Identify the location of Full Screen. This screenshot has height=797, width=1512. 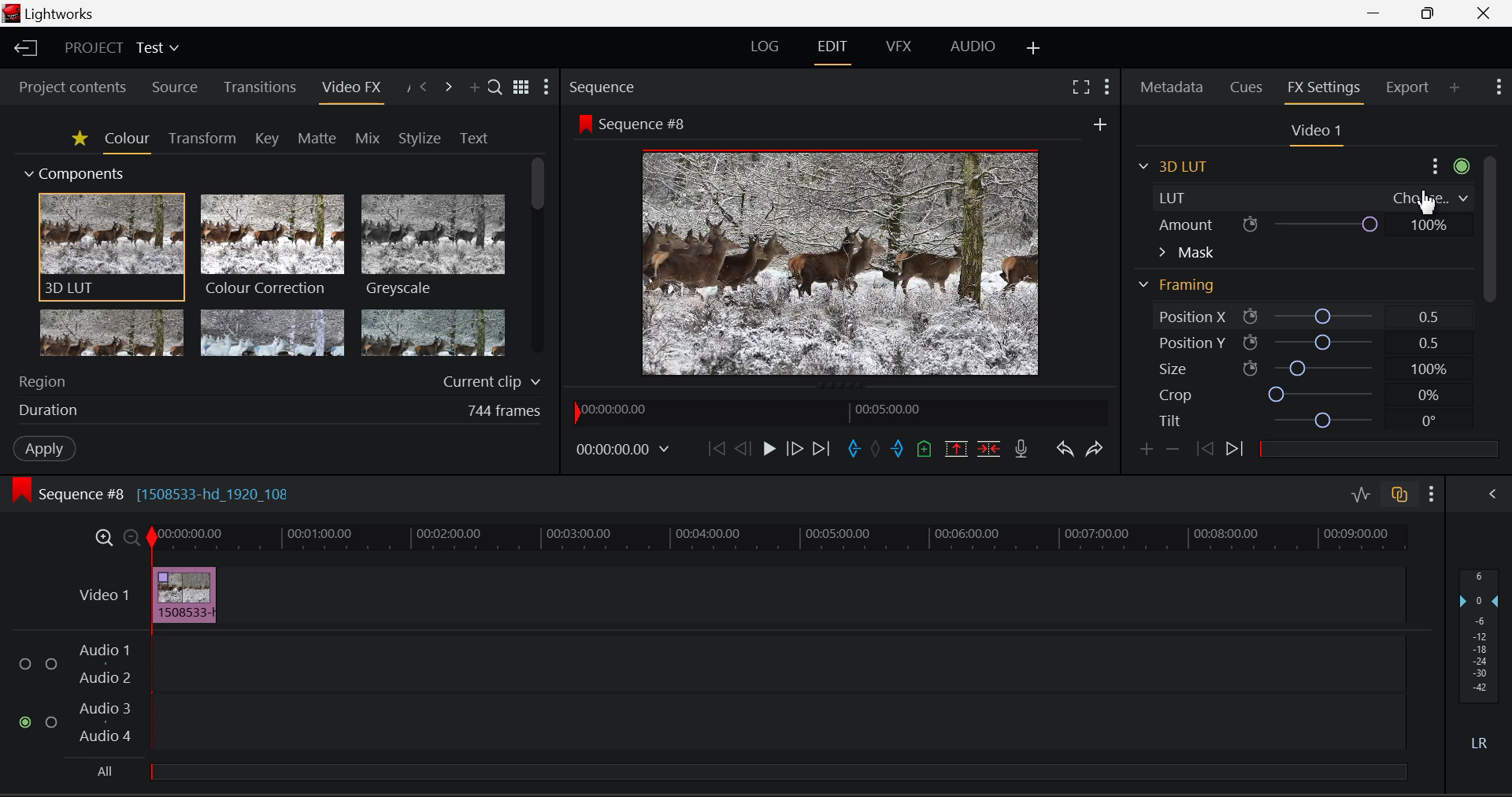
(1080, 86).